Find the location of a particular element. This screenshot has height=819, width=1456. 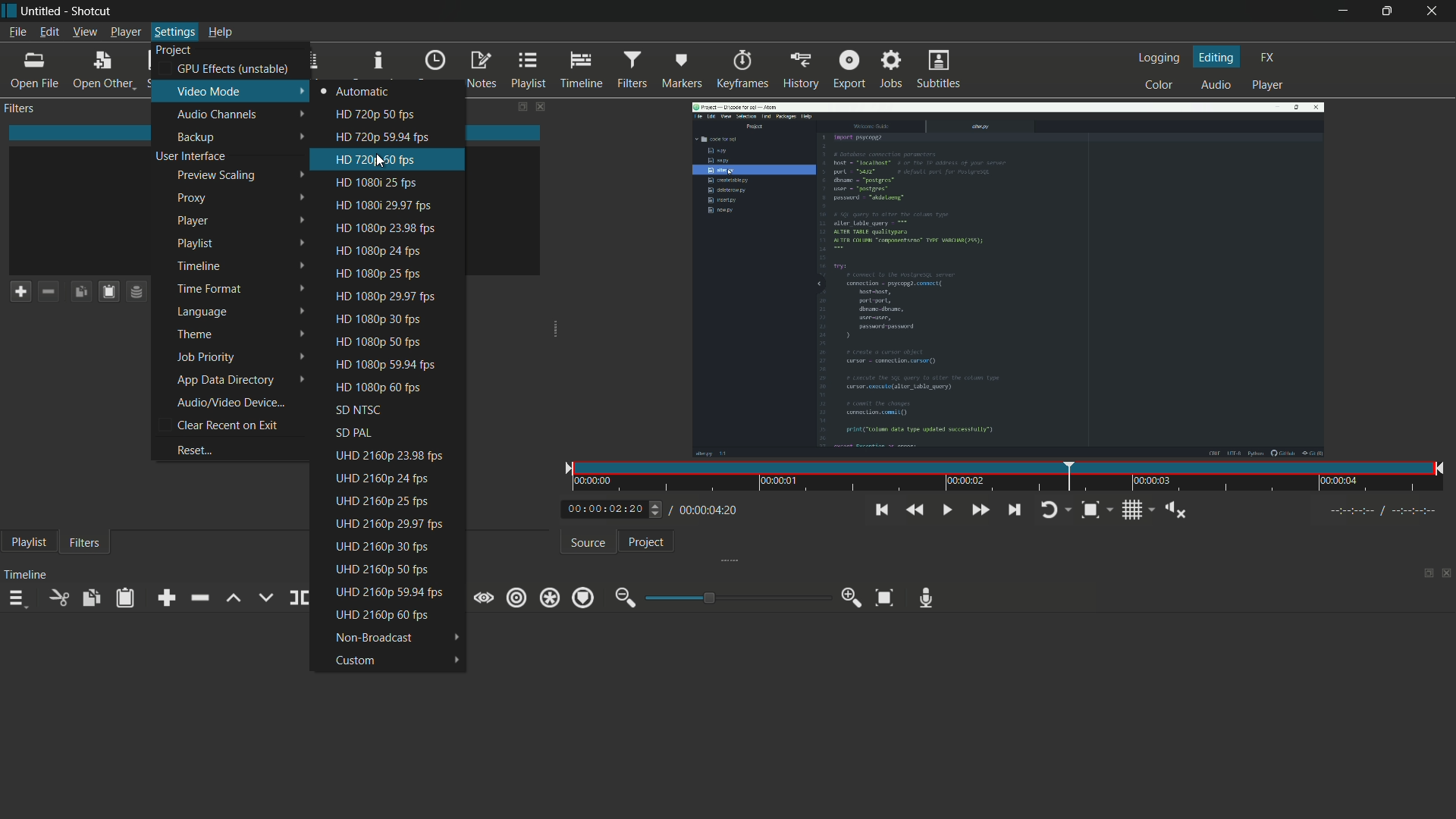

quickly play backward is located at coordinates (916, 510).